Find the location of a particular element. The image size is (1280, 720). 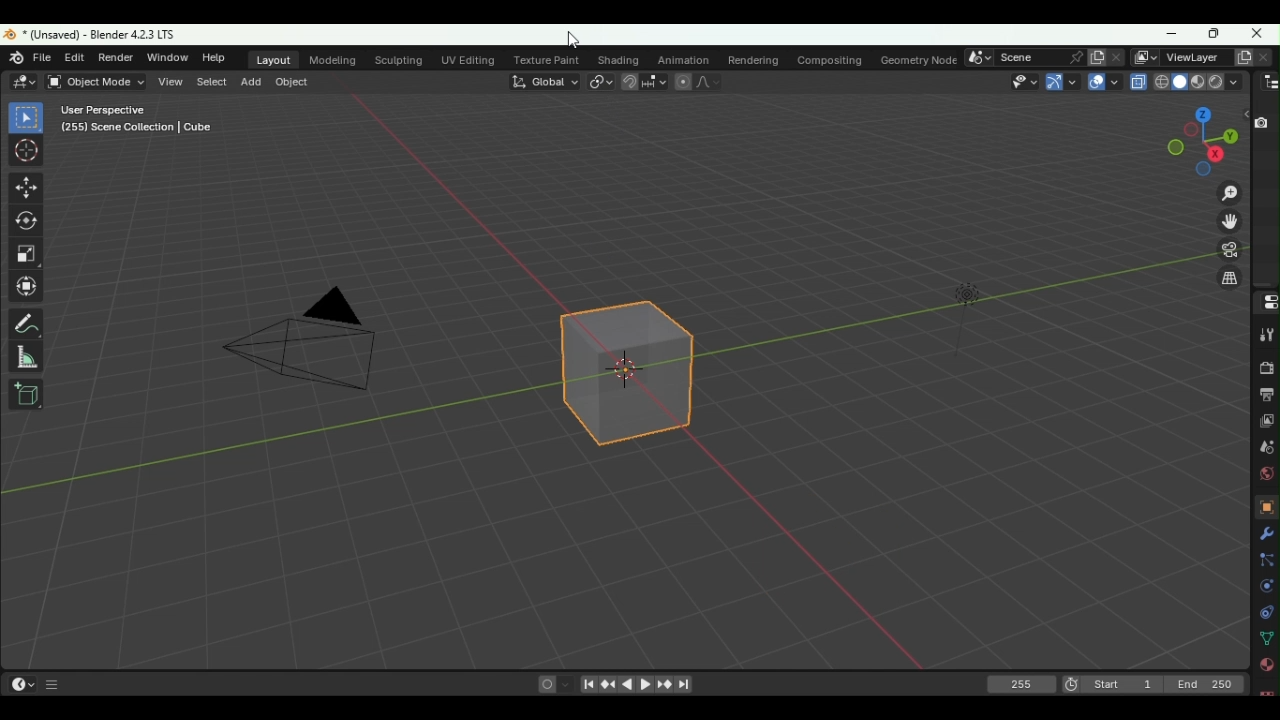

Window is located at coordinates (164, 57).